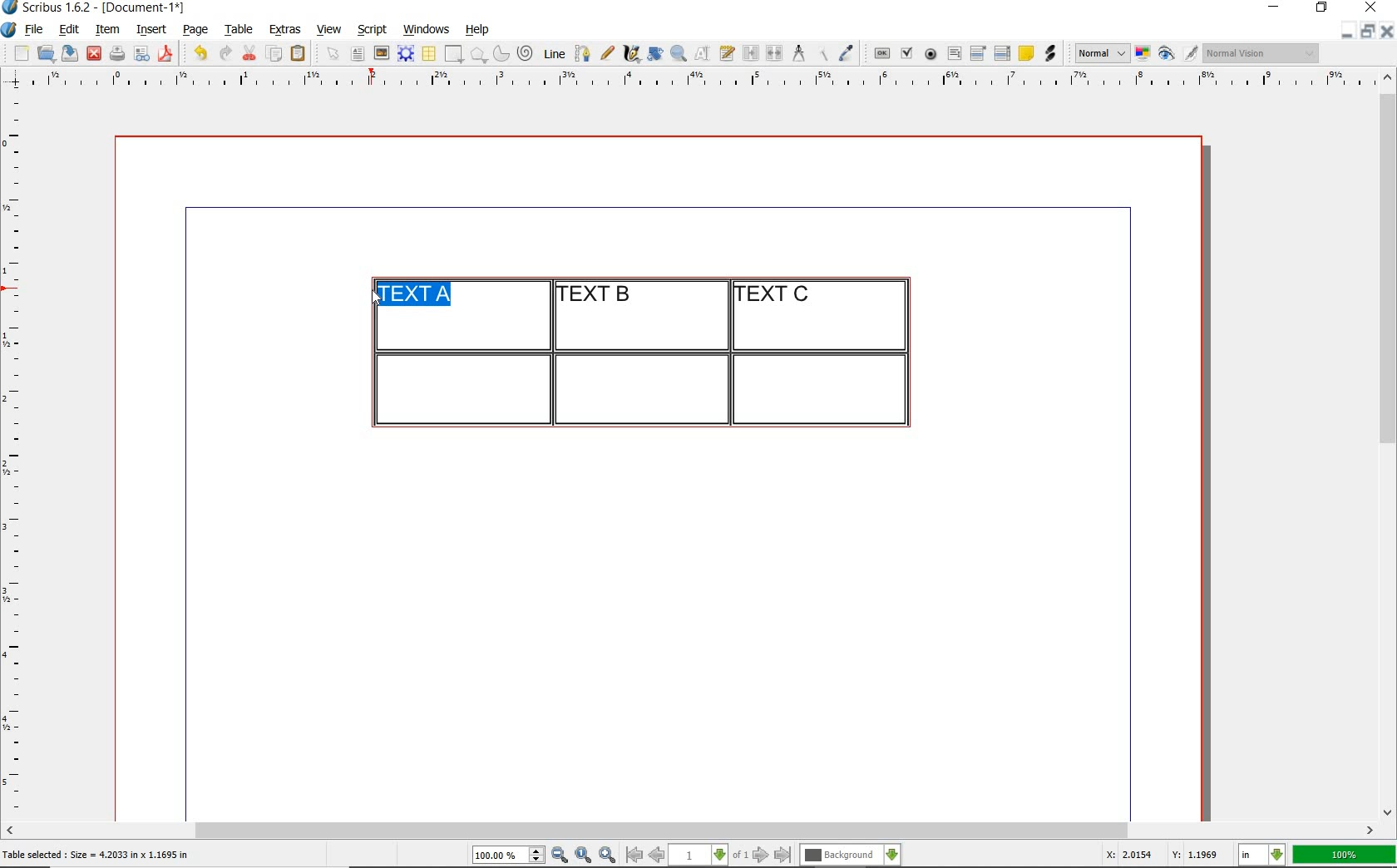 This screenshot has height=868, width=1397. I want to click on copy item properties, so click(822, 53).